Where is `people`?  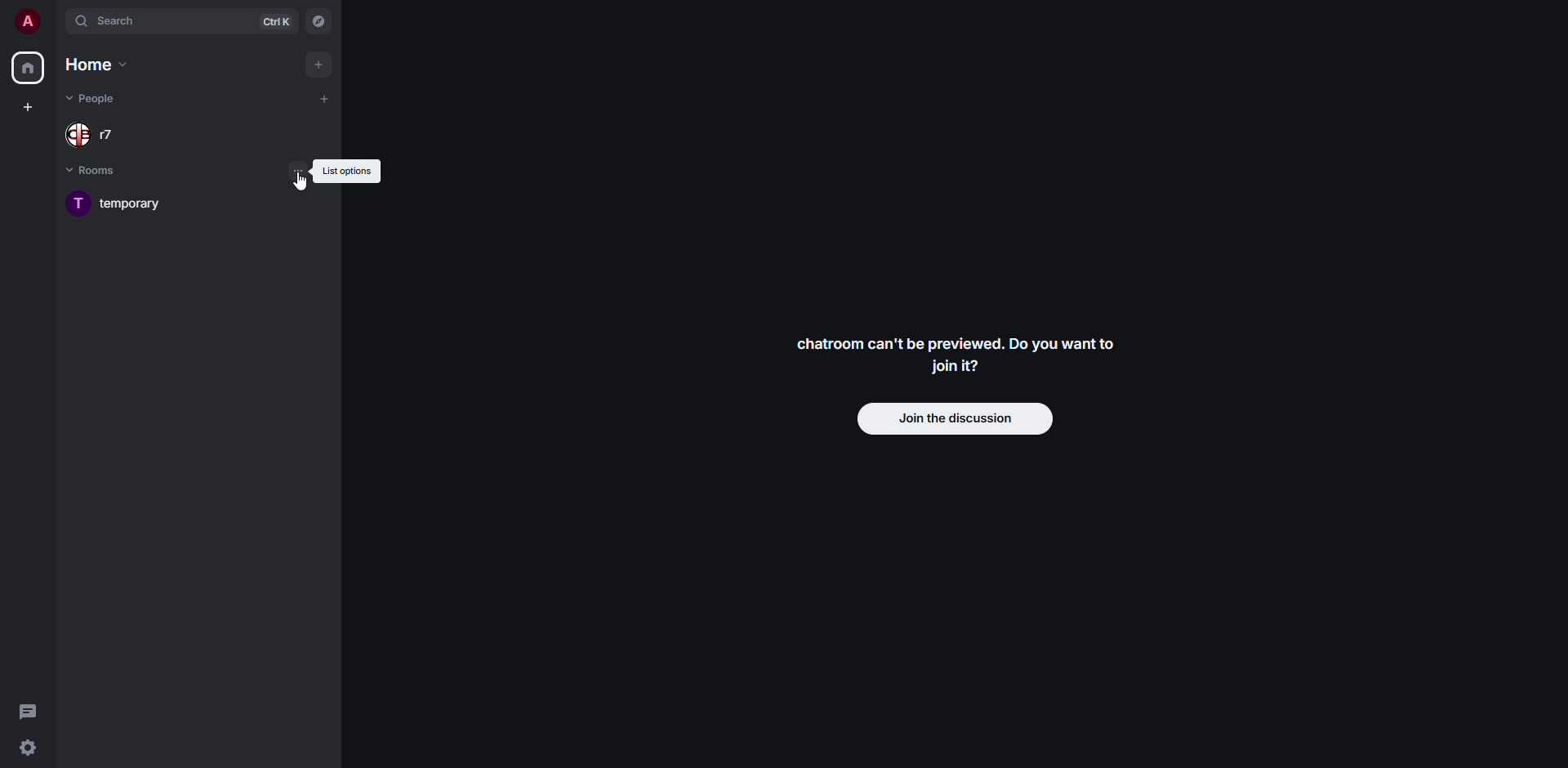
people is located at coordinates (96, 96).